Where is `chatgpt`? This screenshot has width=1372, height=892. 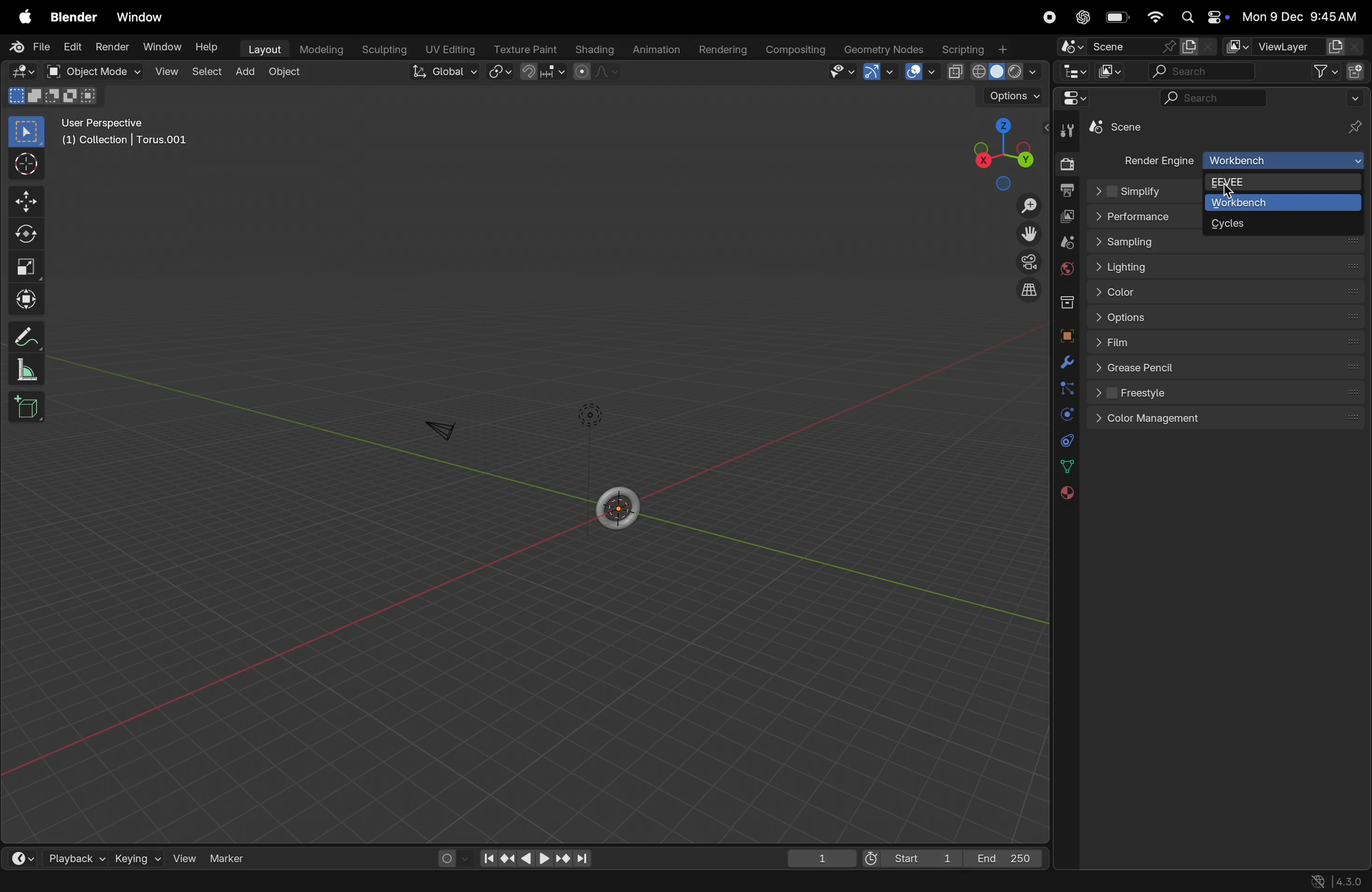
chatgpt is located at coordinates (1081, 17).